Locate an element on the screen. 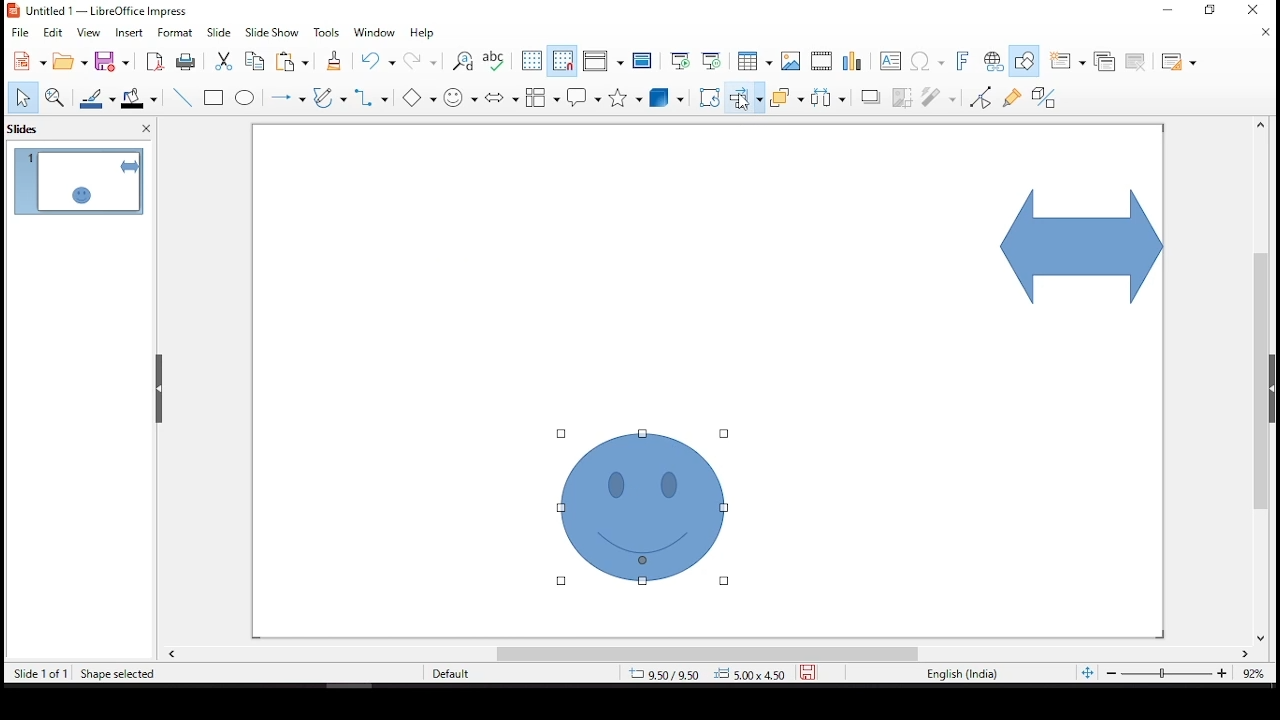  shadow is located at coordinates (867, 98).